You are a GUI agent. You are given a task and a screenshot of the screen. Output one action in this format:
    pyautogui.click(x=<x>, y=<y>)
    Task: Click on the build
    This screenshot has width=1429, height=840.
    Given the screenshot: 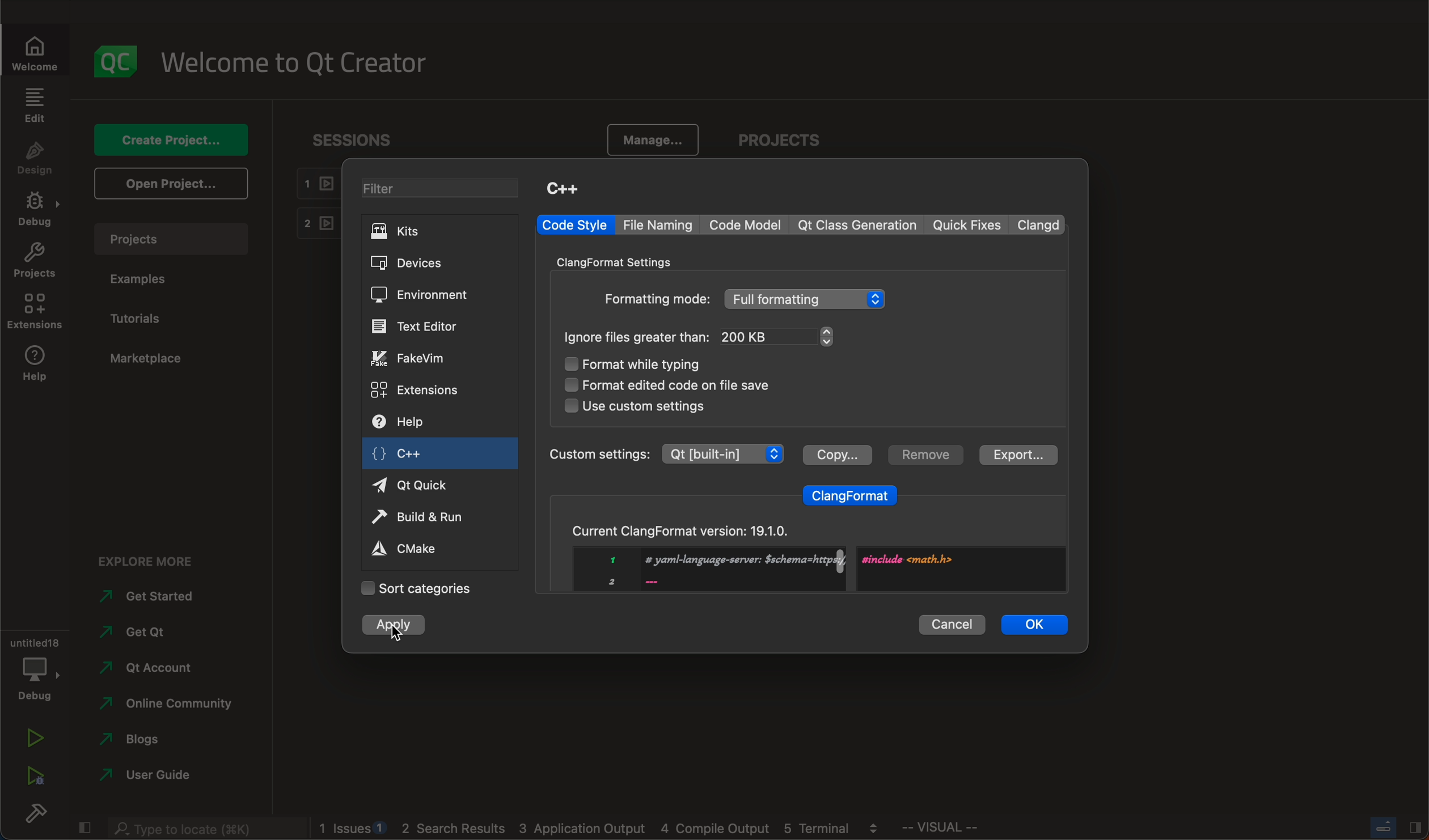 What is the action you would take?
    pyautogui.click(x=34, y=816)
    